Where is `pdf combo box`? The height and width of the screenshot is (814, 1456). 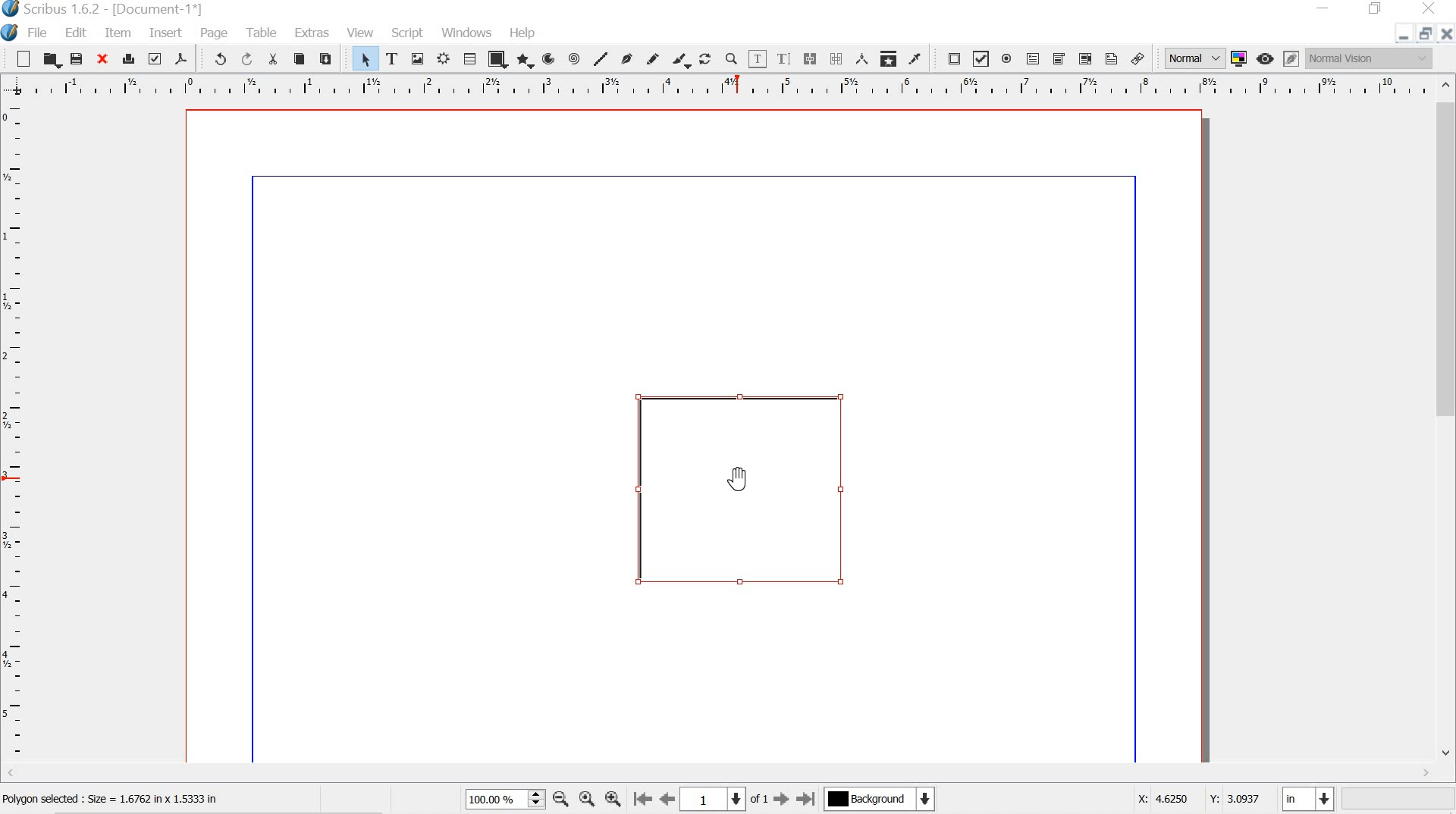
pdf combo box is located at coordinates (1056, 58).